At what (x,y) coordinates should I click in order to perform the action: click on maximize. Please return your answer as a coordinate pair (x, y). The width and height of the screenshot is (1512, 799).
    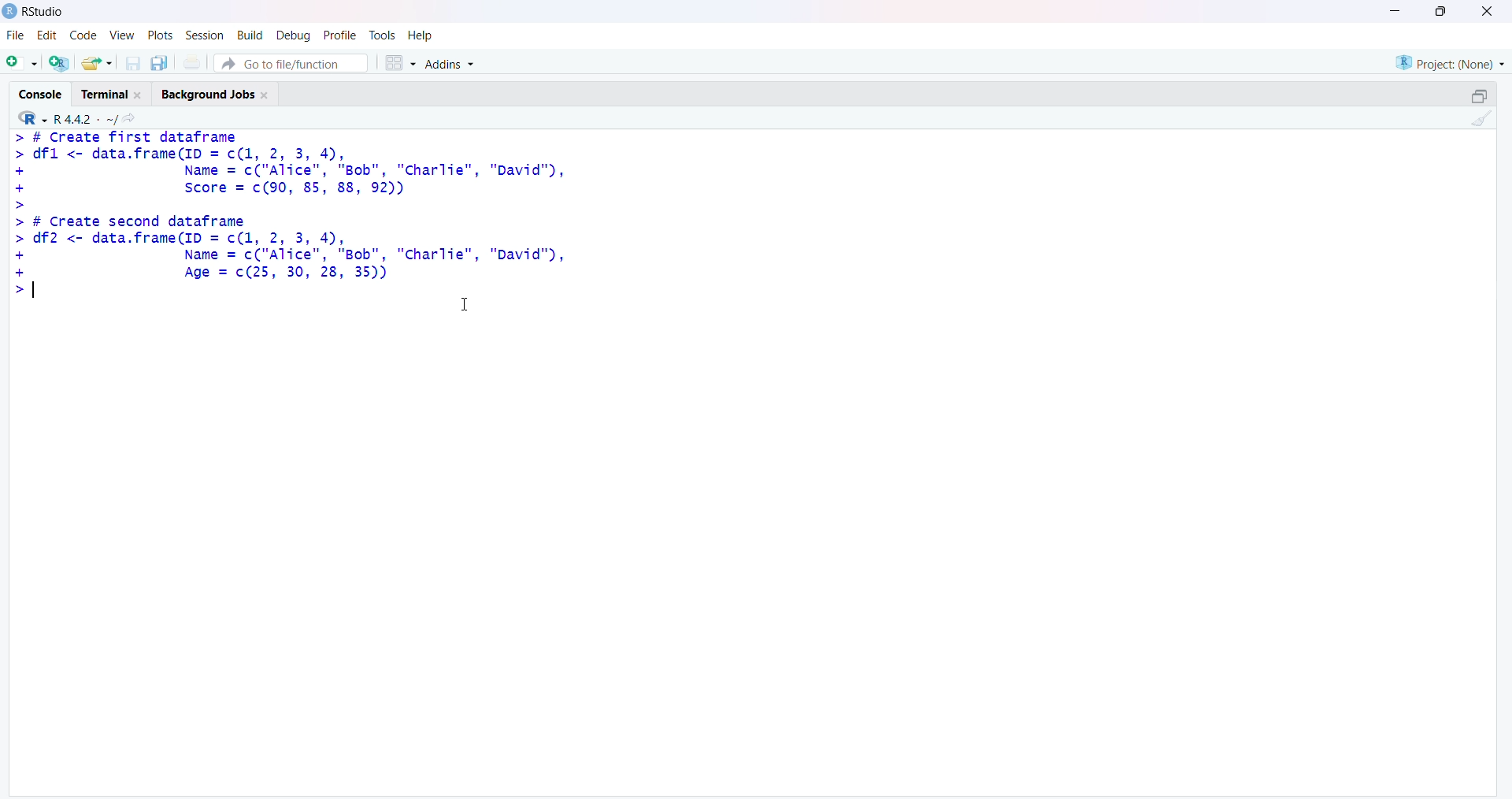
    Looking at the image, I should click on (1443, 11).